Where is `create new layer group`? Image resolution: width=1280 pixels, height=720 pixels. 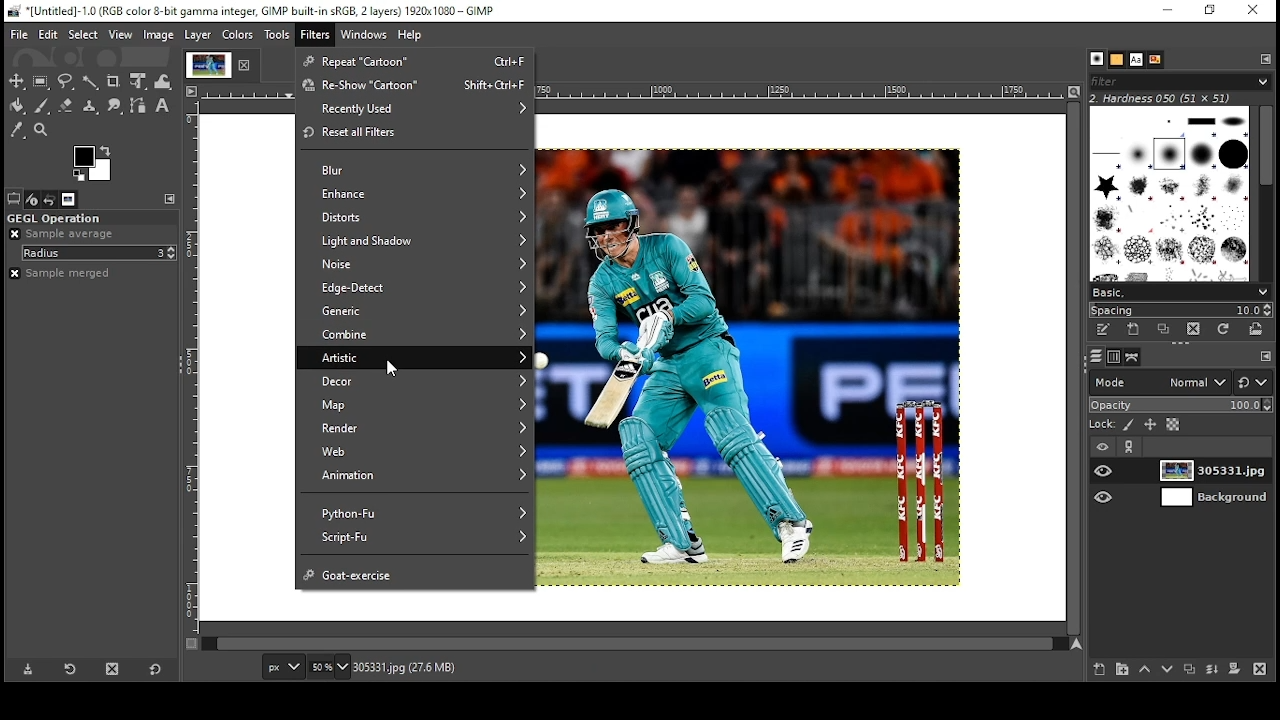 create new layer group is located at coordinates (1121, 669).